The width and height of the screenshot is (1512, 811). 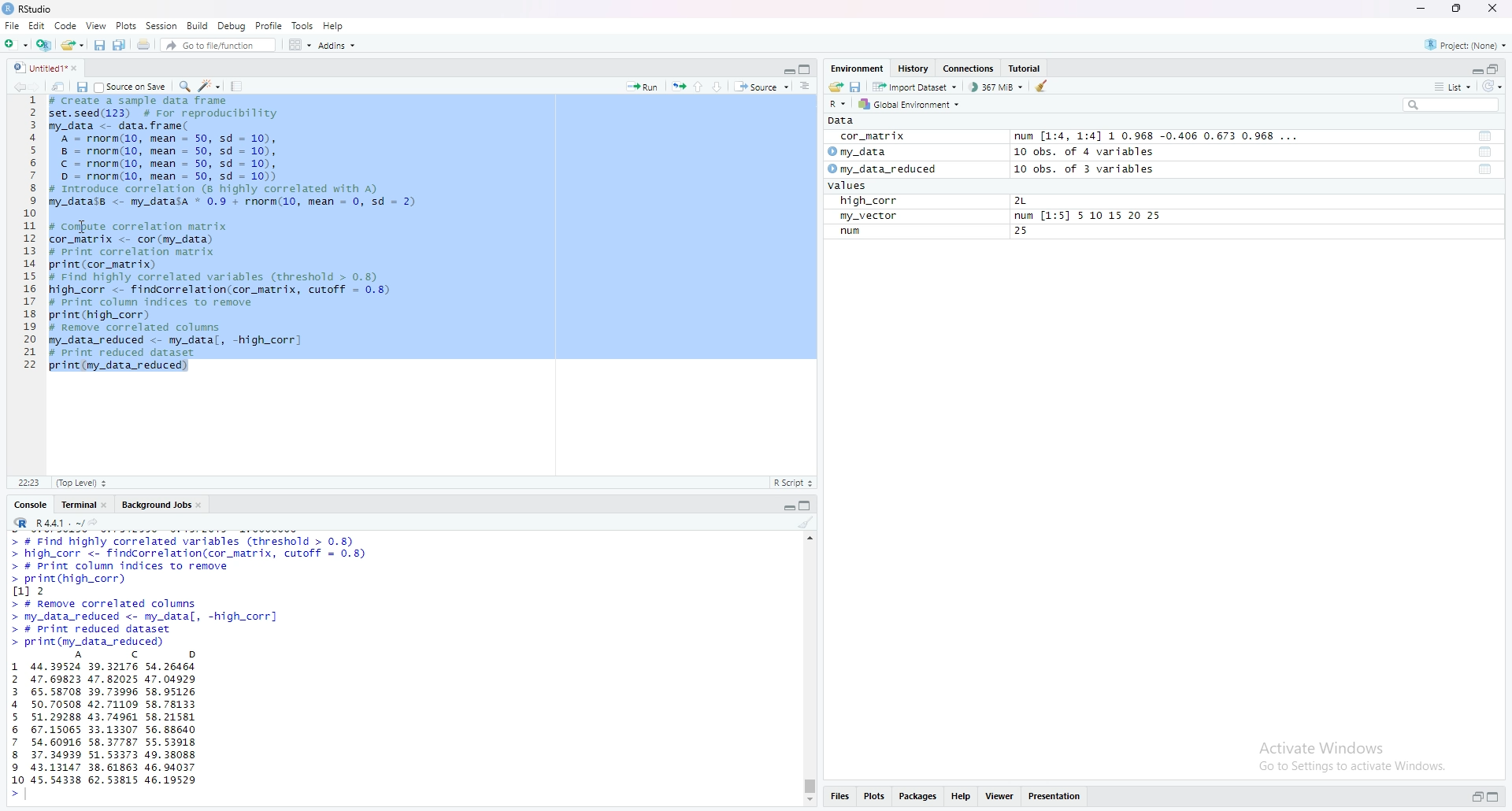 I want to click on Edit , so click(x=37, y=25).